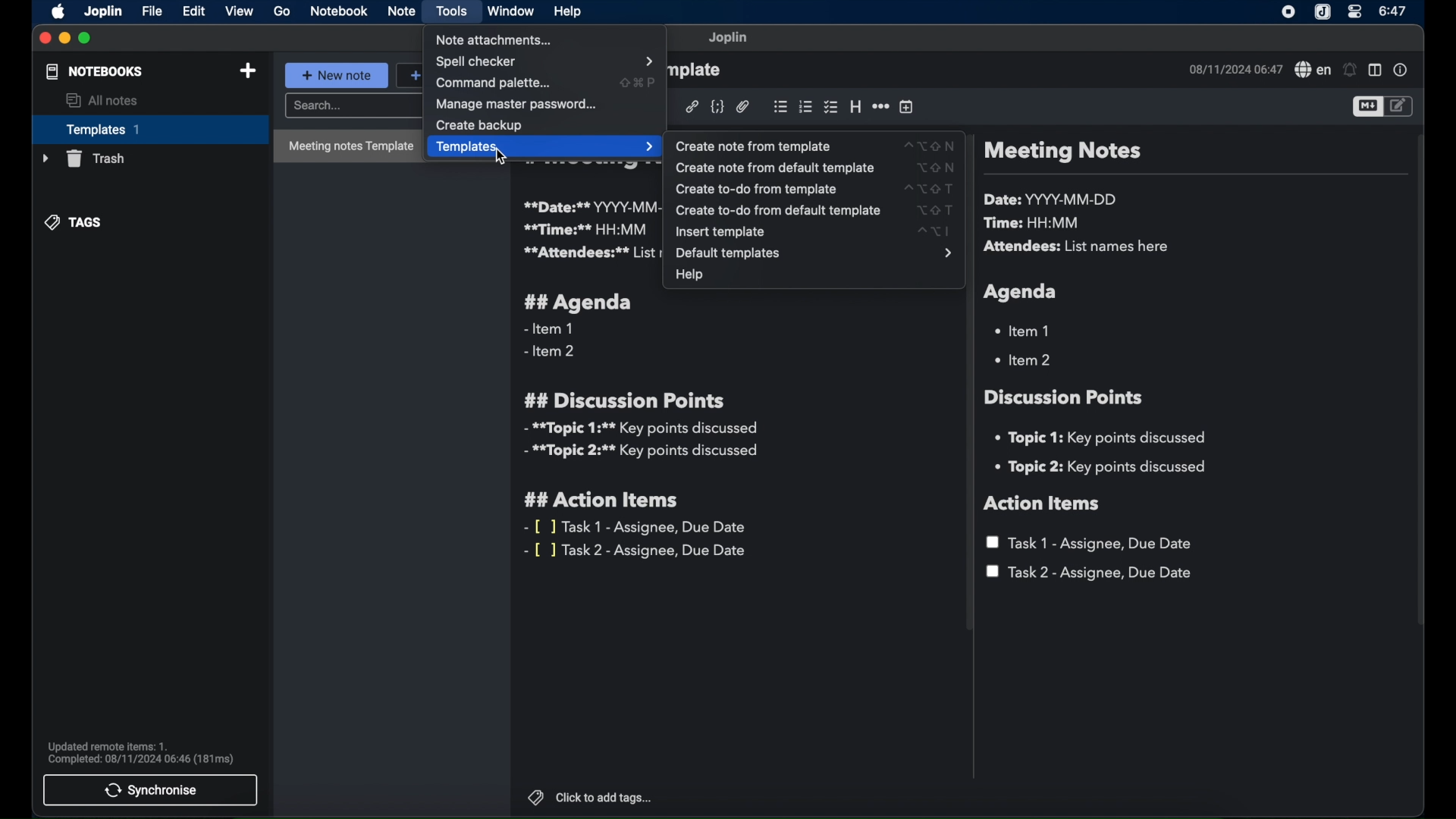  What do you see at coordinates (1035, 224) in the screenshot?
I see `time: HH:MM` at bounding box center [1035, 224].